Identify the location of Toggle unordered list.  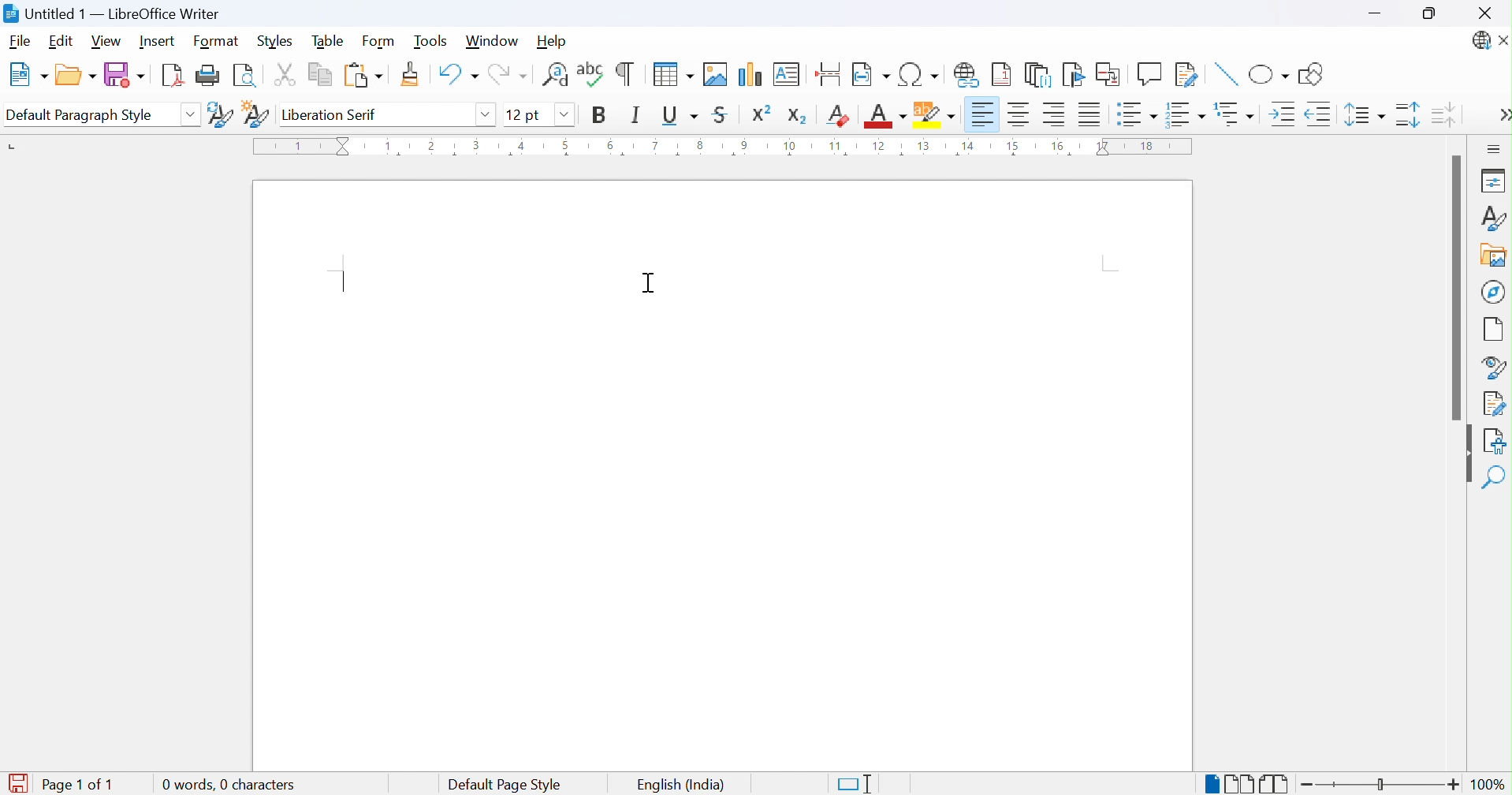
(1138, 117).